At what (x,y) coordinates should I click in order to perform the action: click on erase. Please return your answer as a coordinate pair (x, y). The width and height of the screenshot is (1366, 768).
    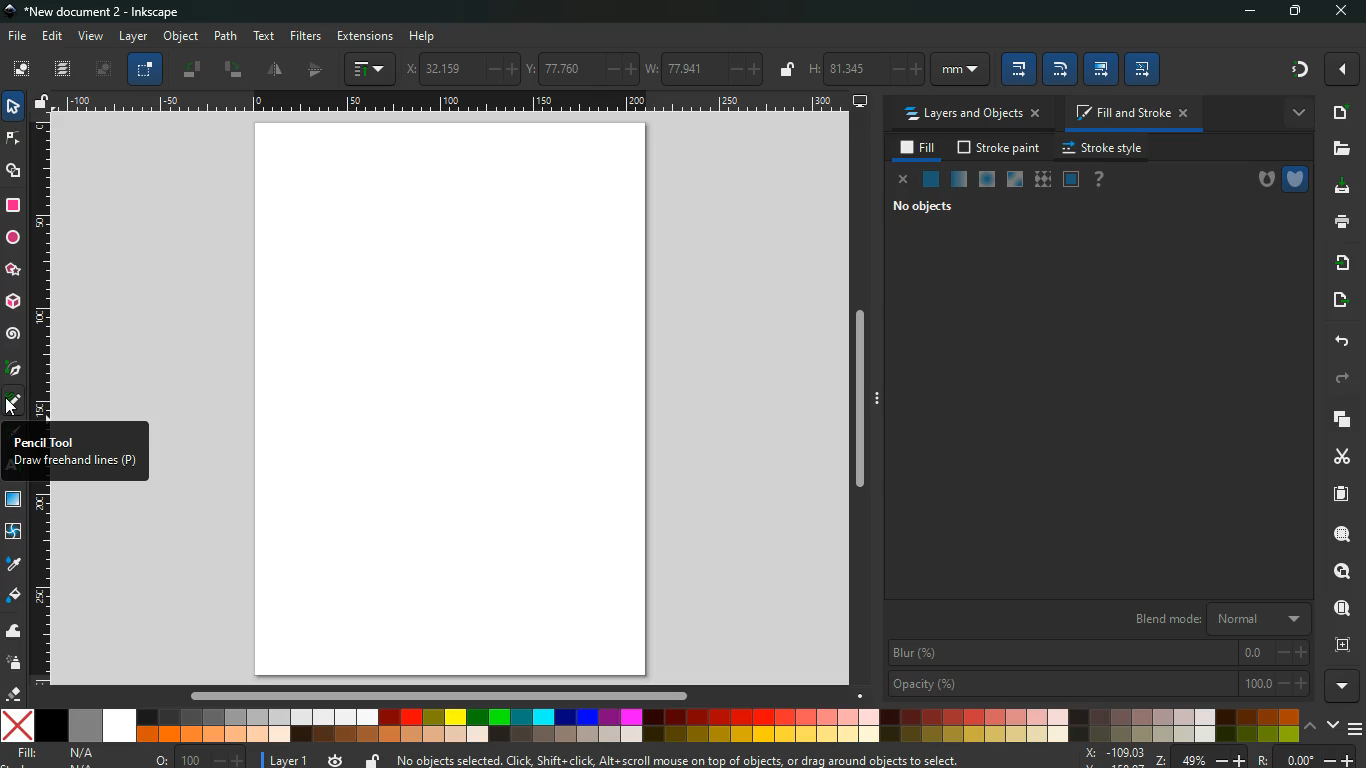
    Looking at the image, I should click on (14, 695).